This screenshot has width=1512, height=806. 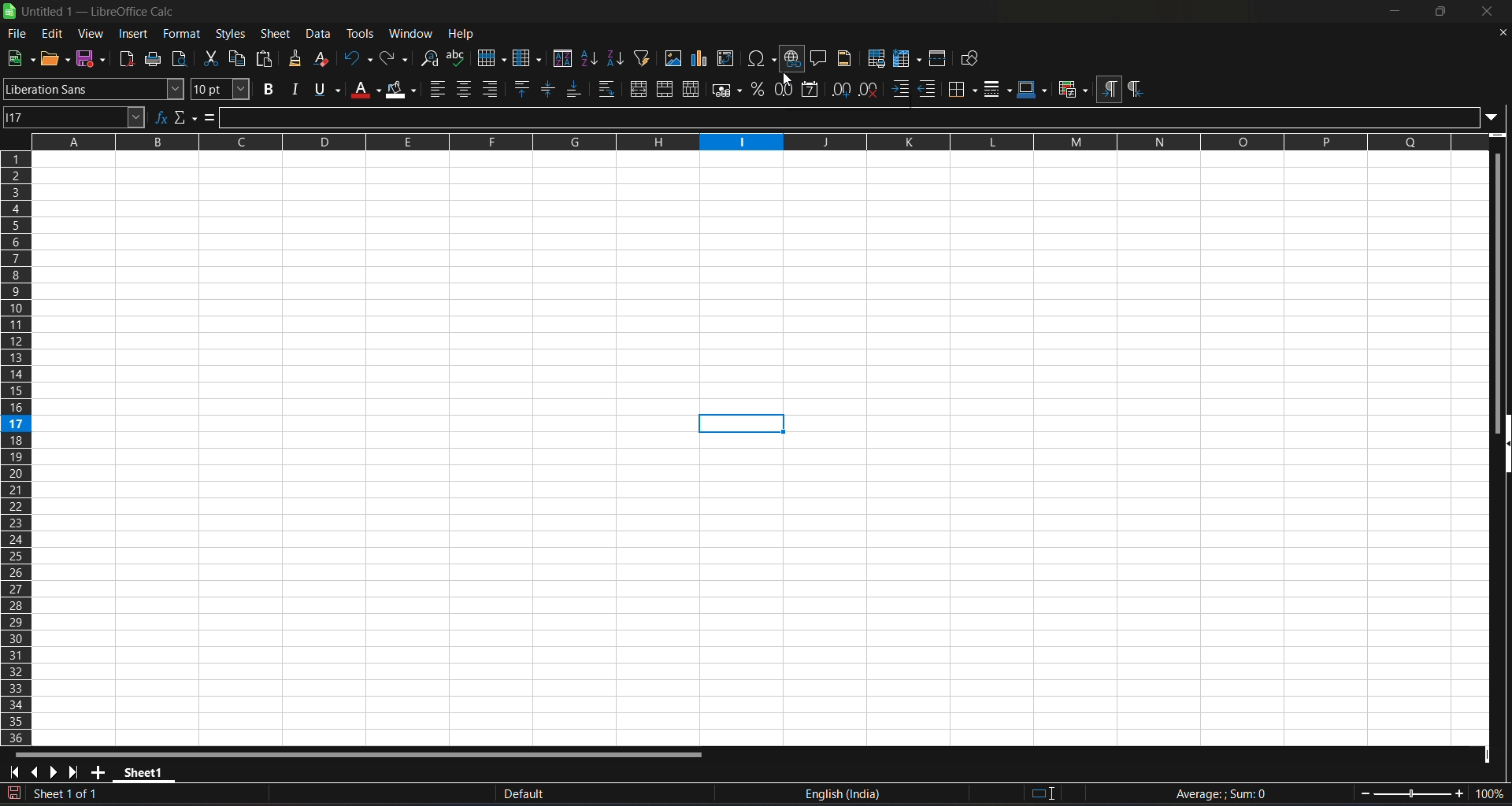 I want to click on find and replace, so click(x=431, y=59).